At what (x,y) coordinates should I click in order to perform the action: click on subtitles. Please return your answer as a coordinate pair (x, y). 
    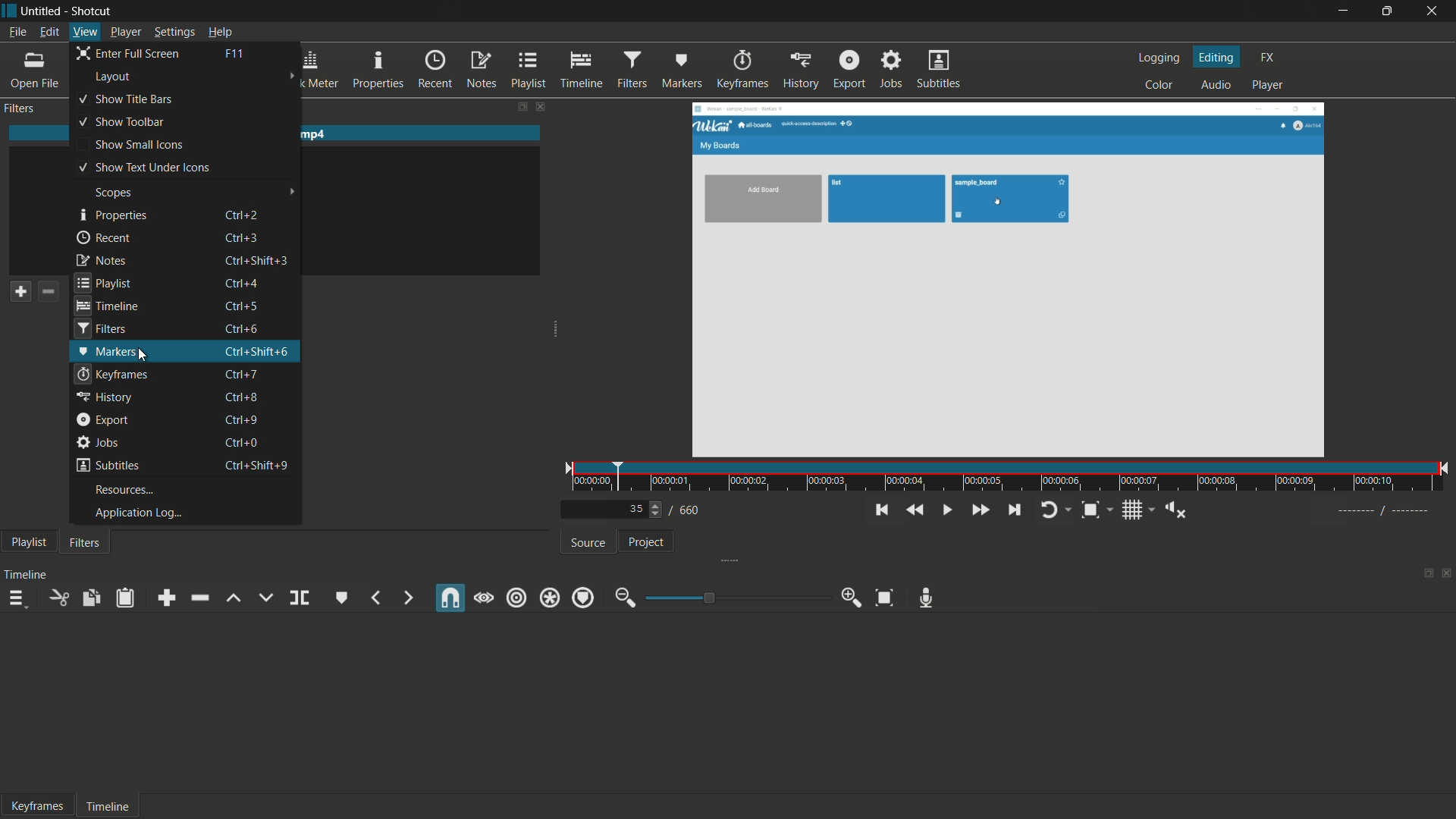
    Looking at the image, I should click on (106, 466).